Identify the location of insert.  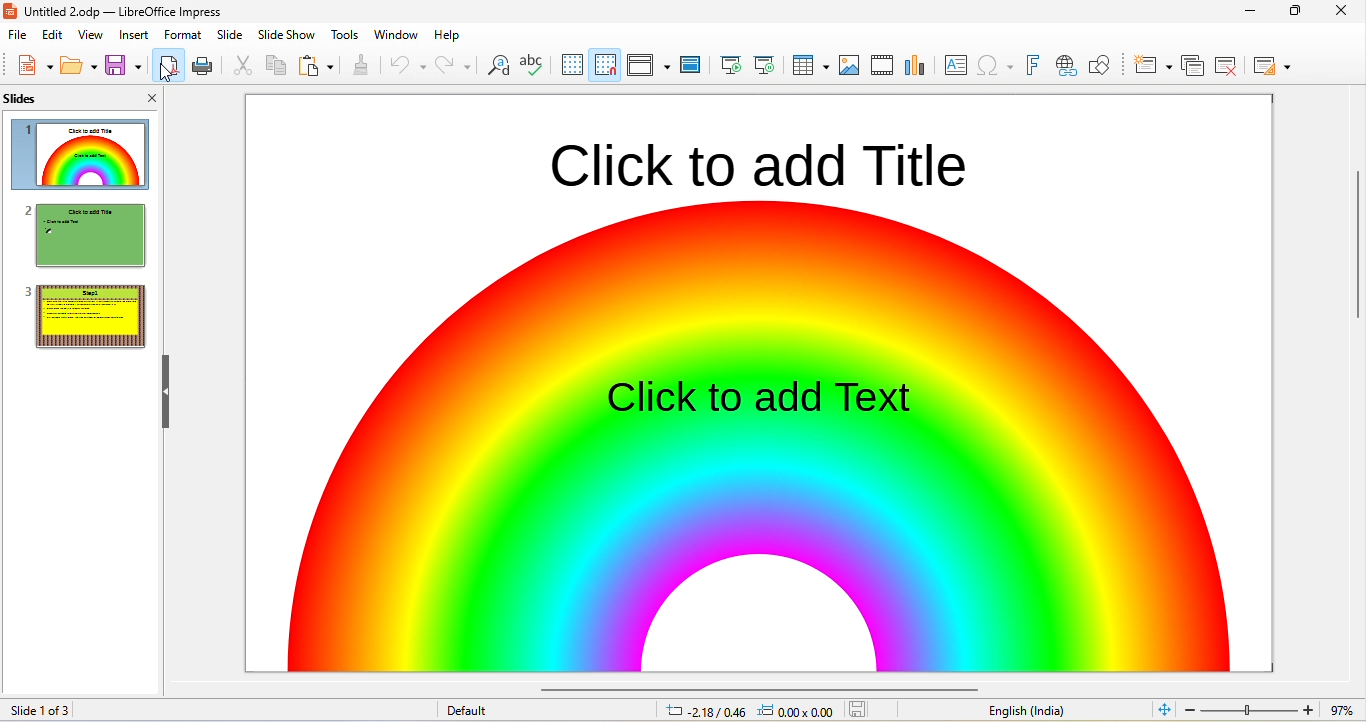
(135, 36).